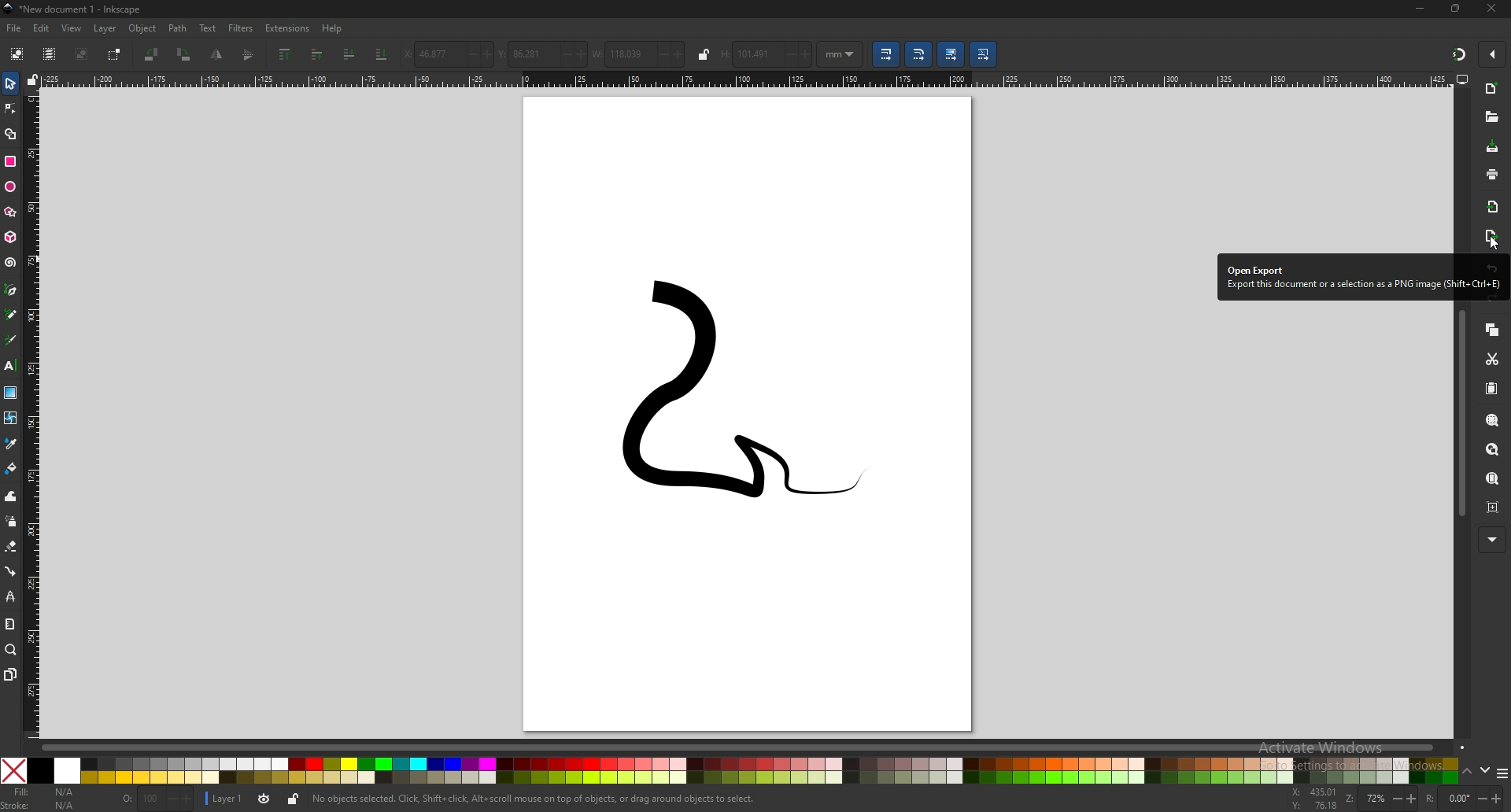  I want to click on copy, so click(1493, 329).